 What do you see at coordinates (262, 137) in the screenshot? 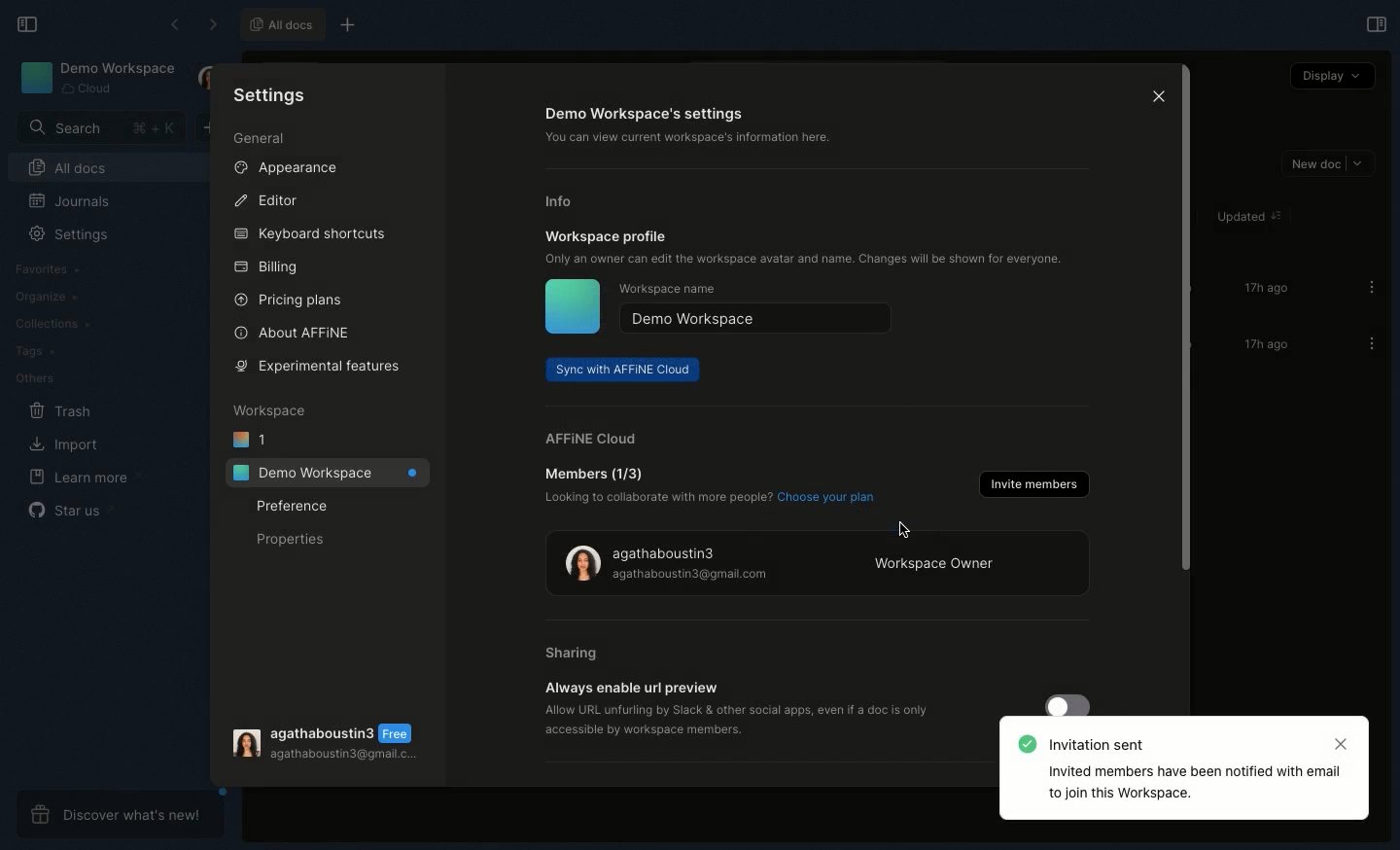
I see `General` at bounding box center [262, 137].